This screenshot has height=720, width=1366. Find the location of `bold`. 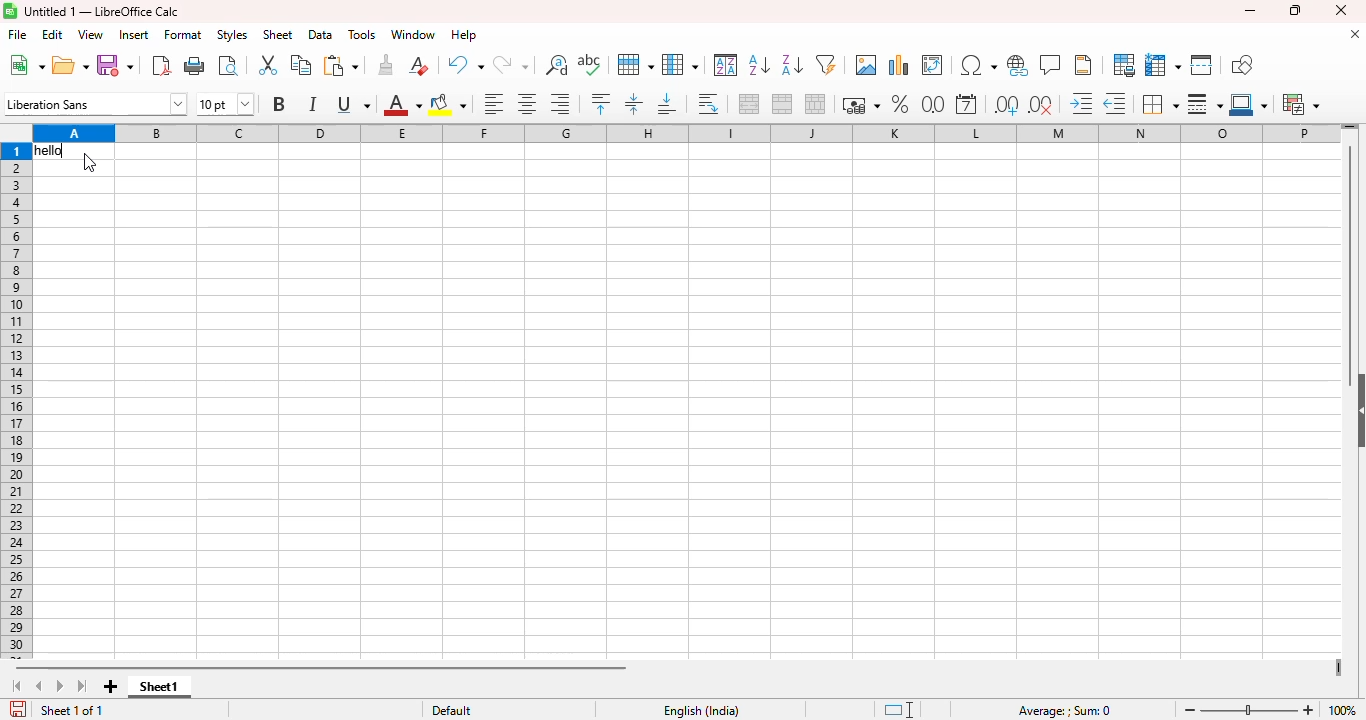

bold is located at coordinates (278, 103).